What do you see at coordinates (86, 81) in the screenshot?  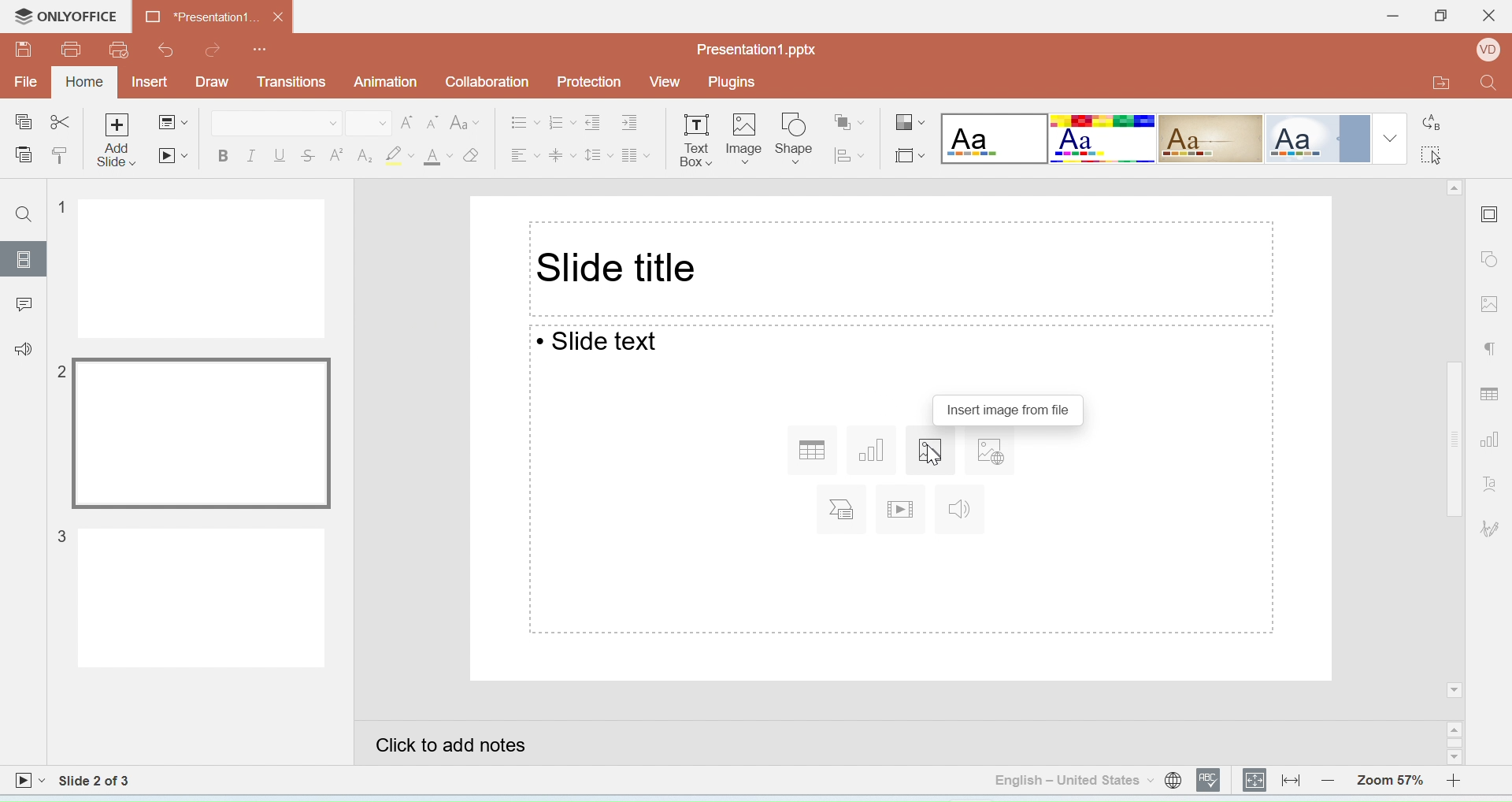 I see `Home` at bounding box center [86, 81].